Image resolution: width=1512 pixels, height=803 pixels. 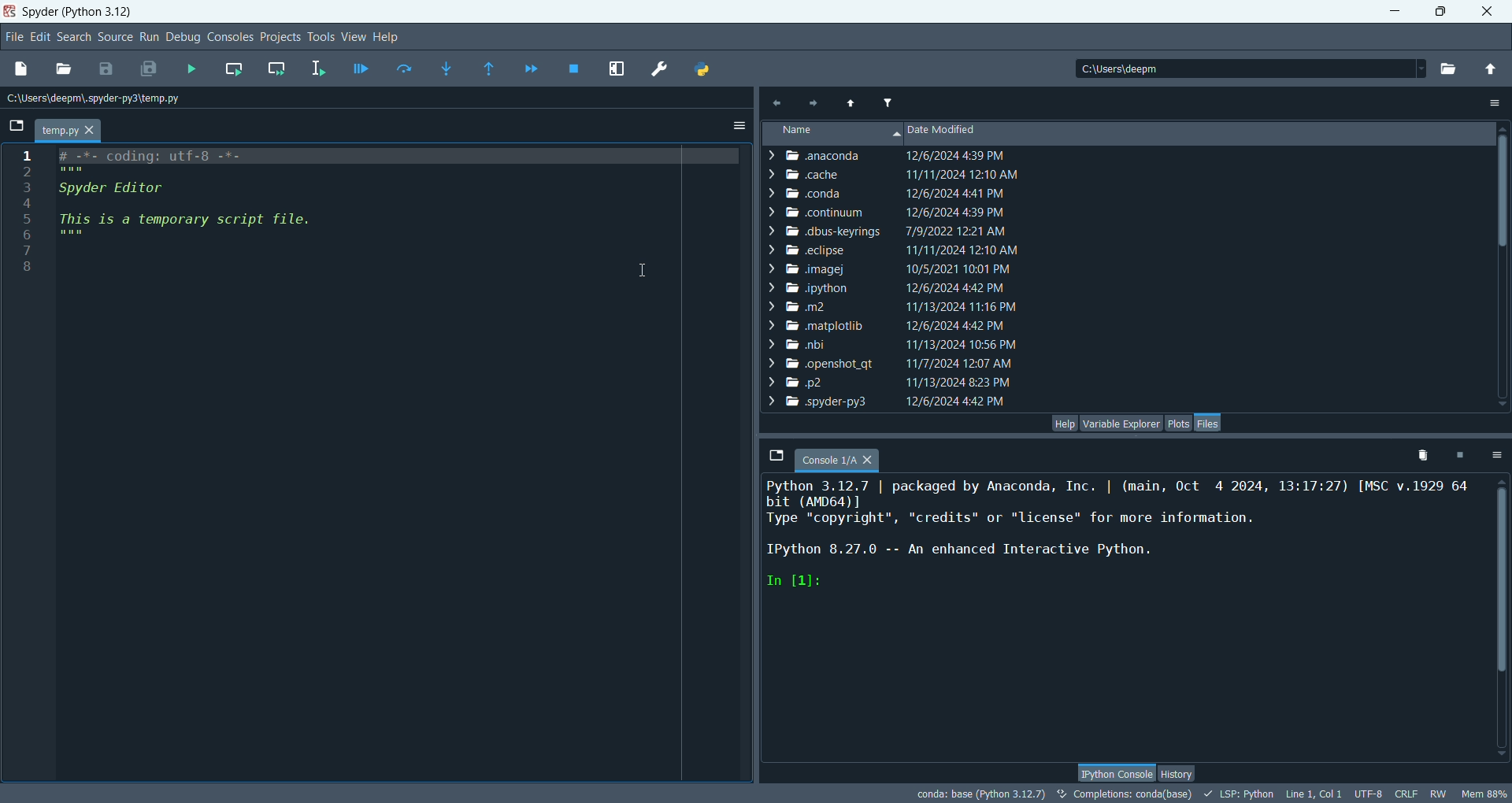 What do you see at coordinates (982, 794) in the screenshot?
I see `conda:base` at bounding box center [982, 794].